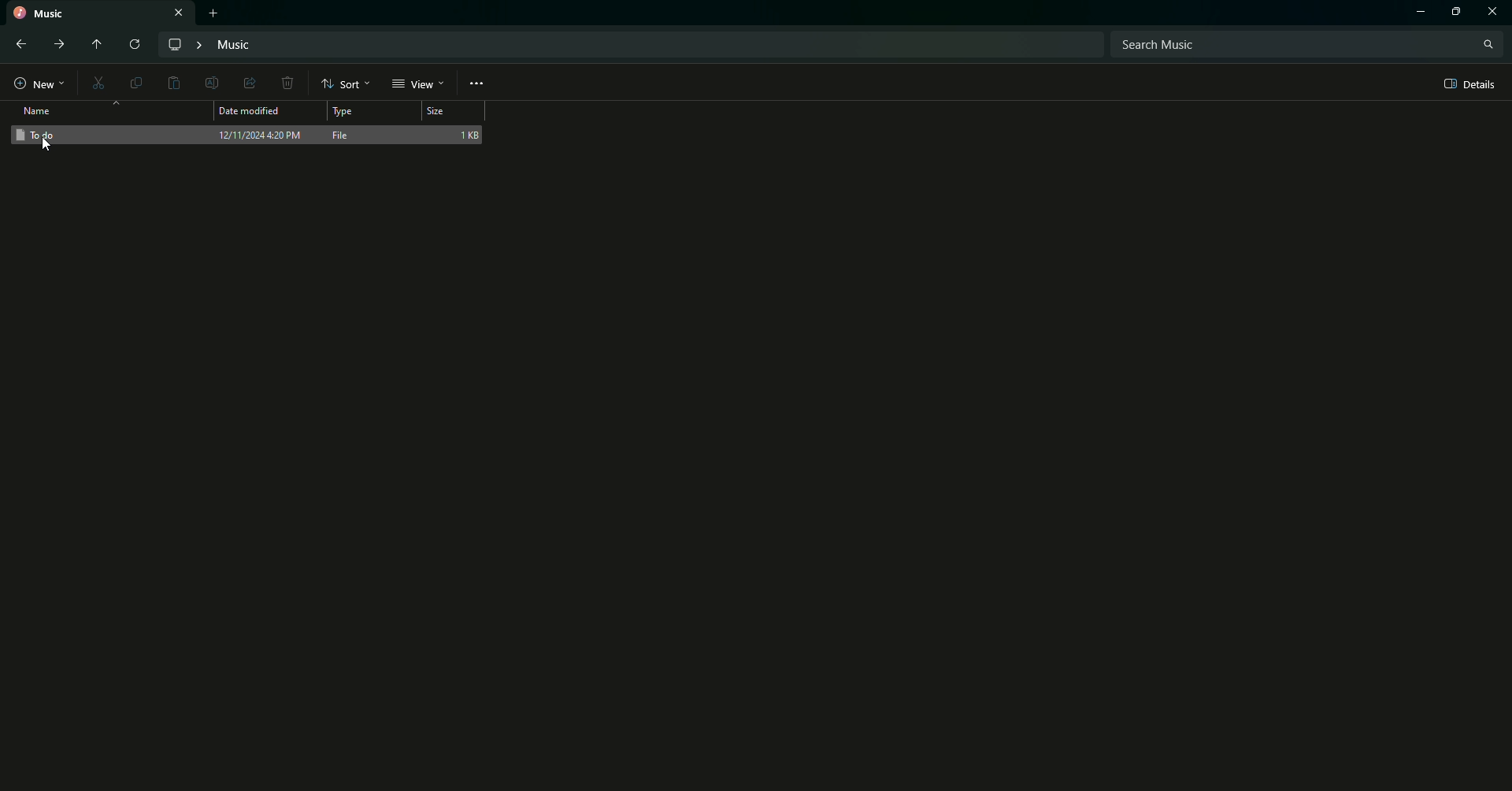 The height and width of the screenshot is (791, 1512). Describe the element at coordinates (1494, 12) in the screenshot. I see `Close` at that location.